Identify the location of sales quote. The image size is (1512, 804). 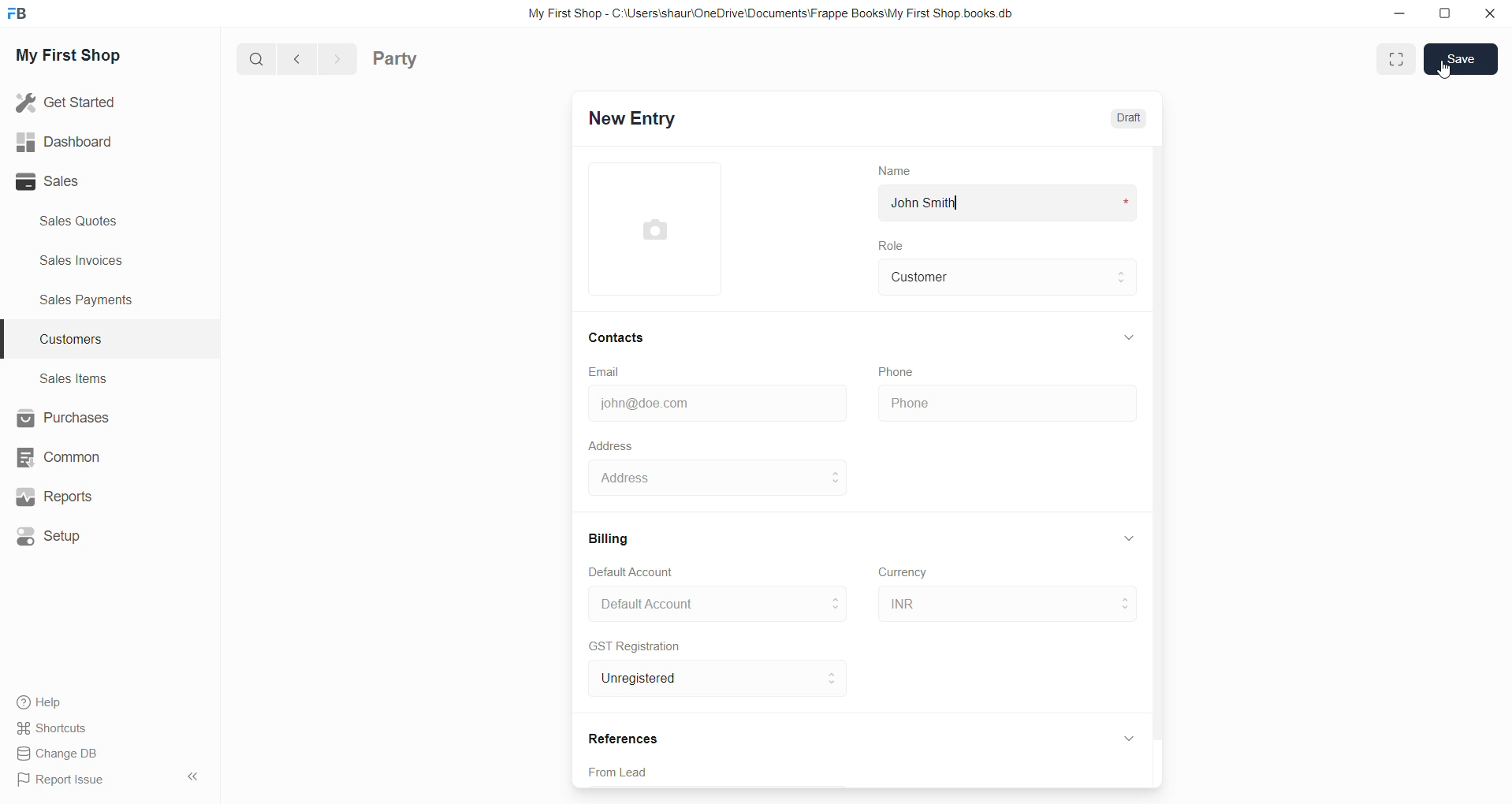
(88, 221).